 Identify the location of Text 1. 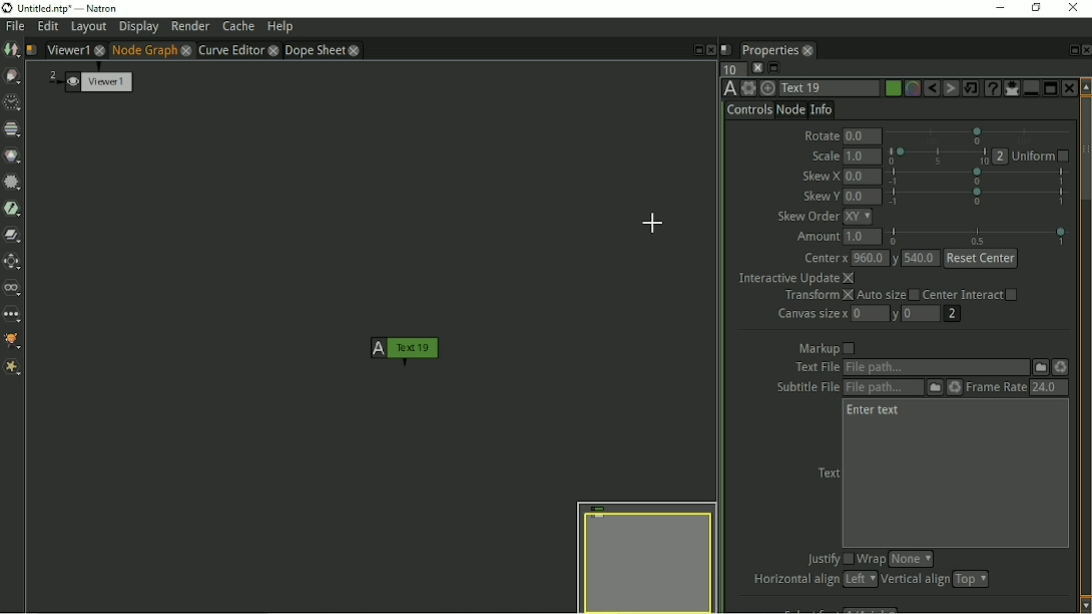
(407, 348).